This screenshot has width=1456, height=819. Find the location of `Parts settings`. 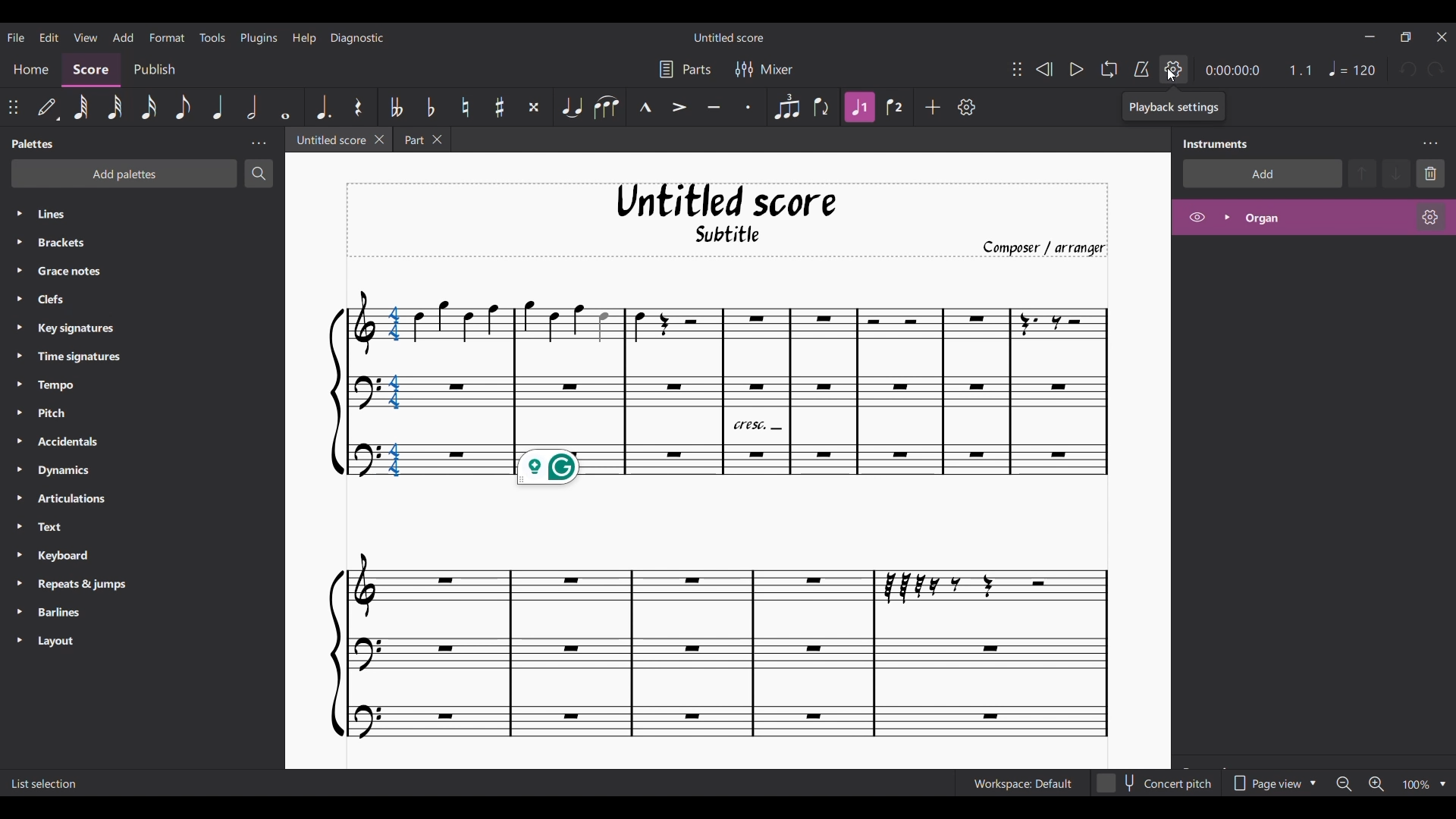

Parts settings is located at coordinates (686, 69).